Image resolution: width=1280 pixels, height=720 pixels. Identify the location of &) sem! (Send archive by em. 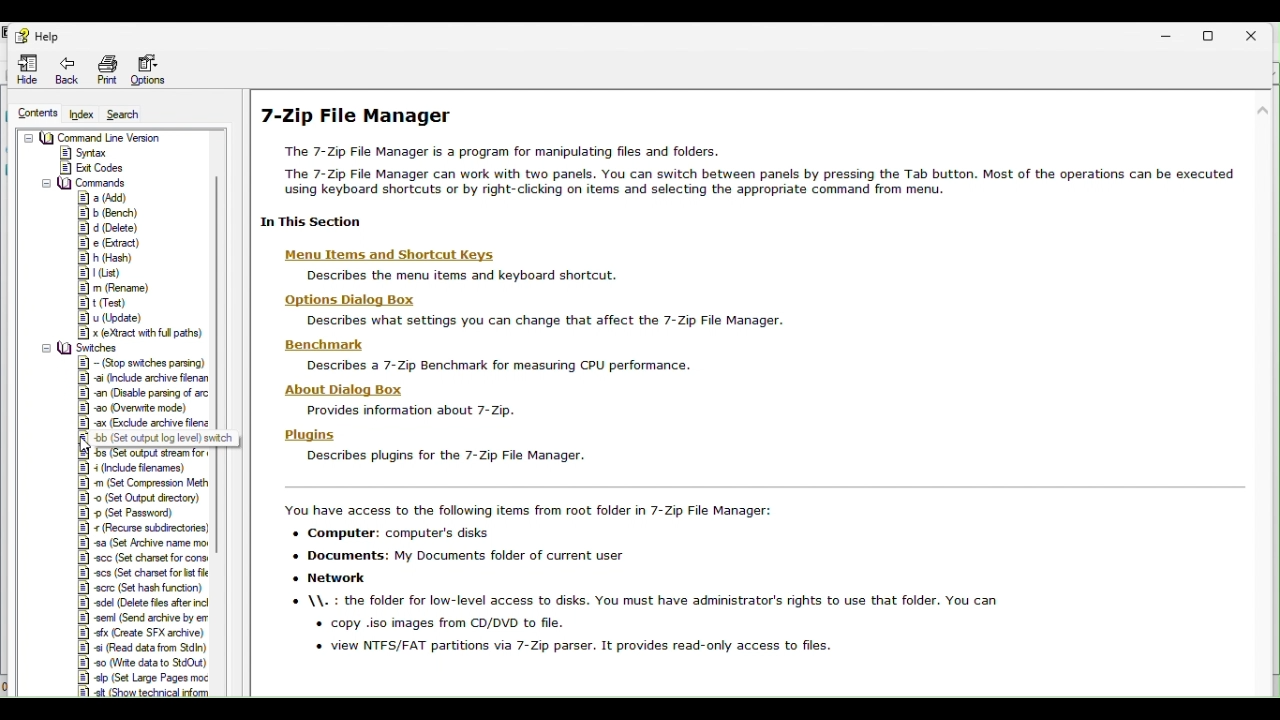
(145, 619).